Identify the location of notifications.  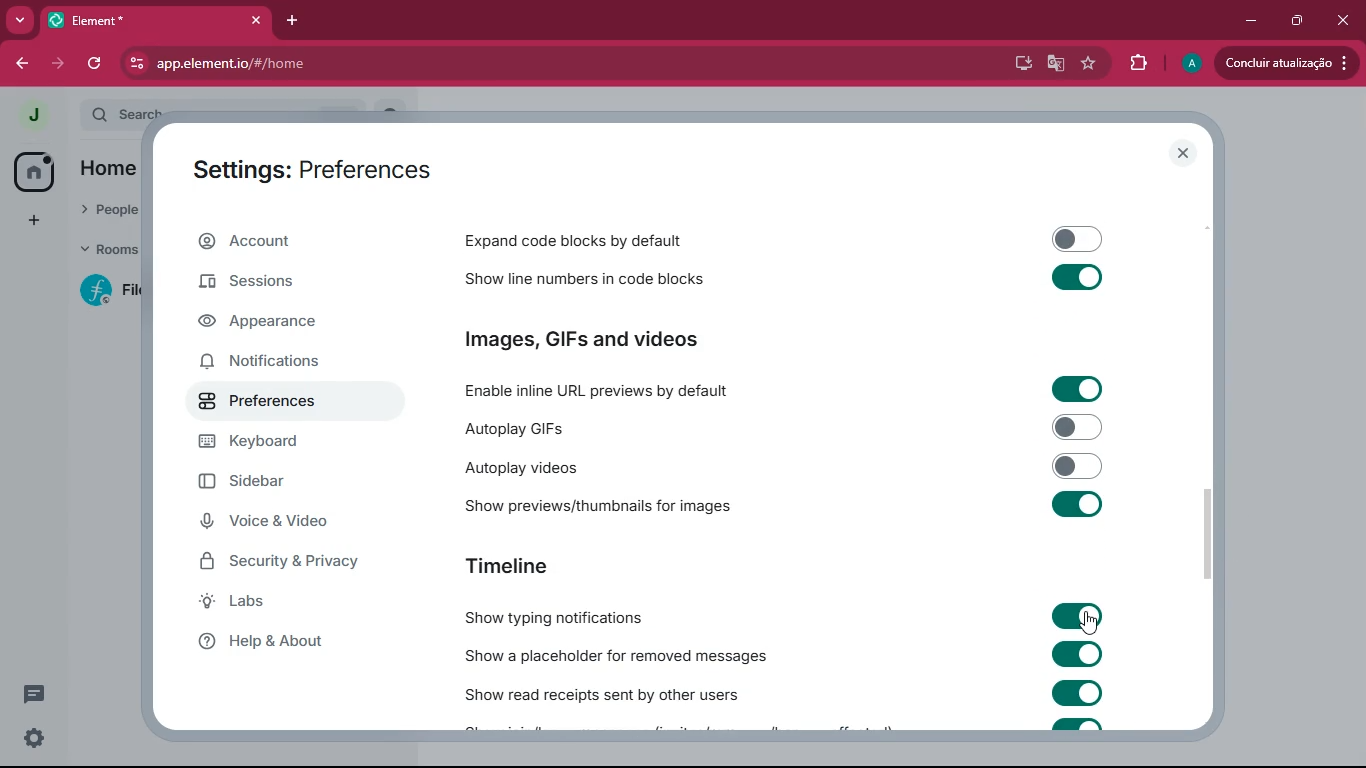
(277, 365).